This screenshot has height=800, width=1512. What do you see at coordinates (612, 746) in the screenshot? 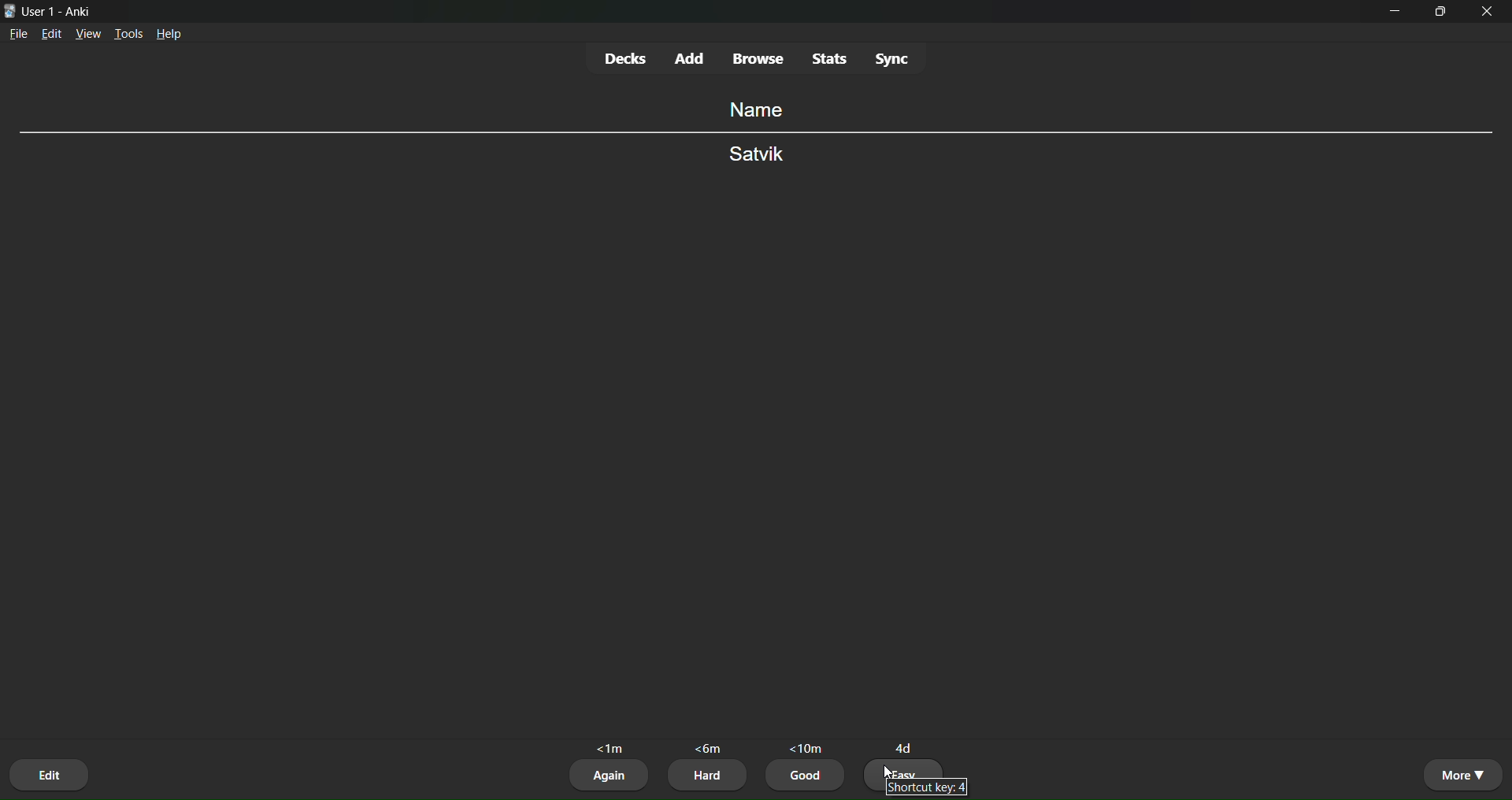
I see `<1m` at bounding box center [612, 746].